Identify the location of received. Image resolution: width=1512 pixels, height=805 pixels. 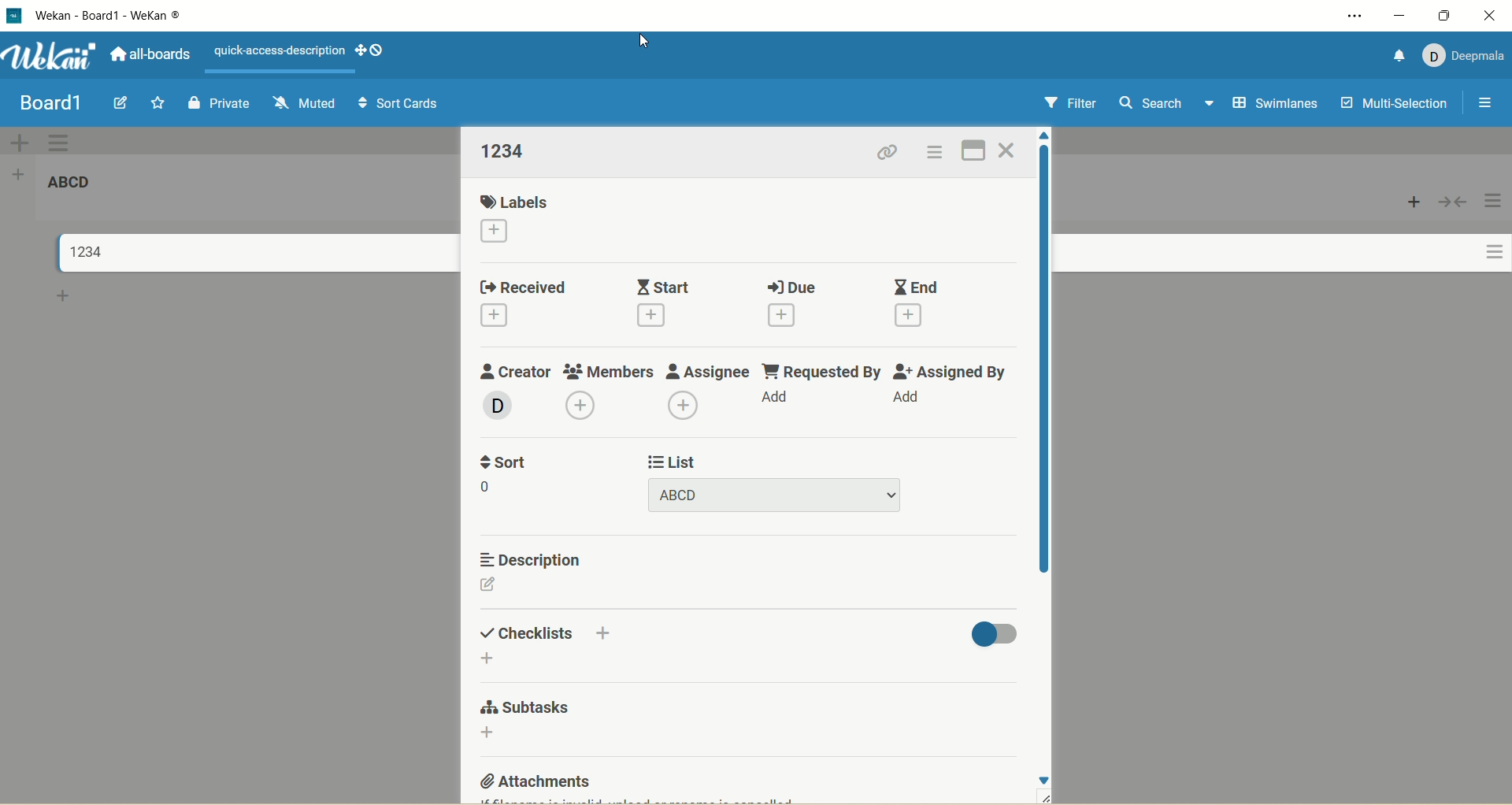
(528, 285).